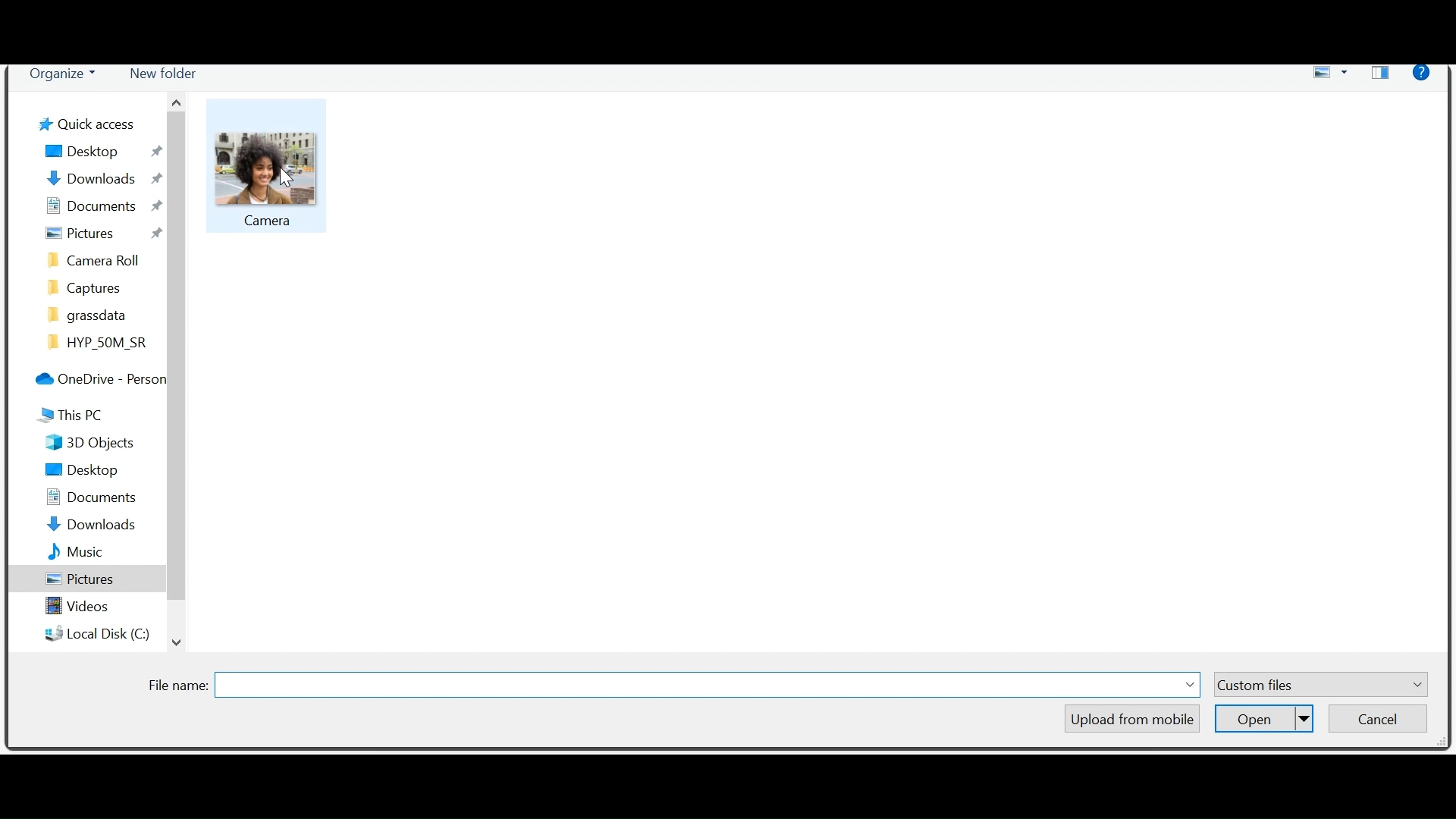  Describe the element at coordinates (1321, 684) in the screenshot. I see `Custom Files` at that location.